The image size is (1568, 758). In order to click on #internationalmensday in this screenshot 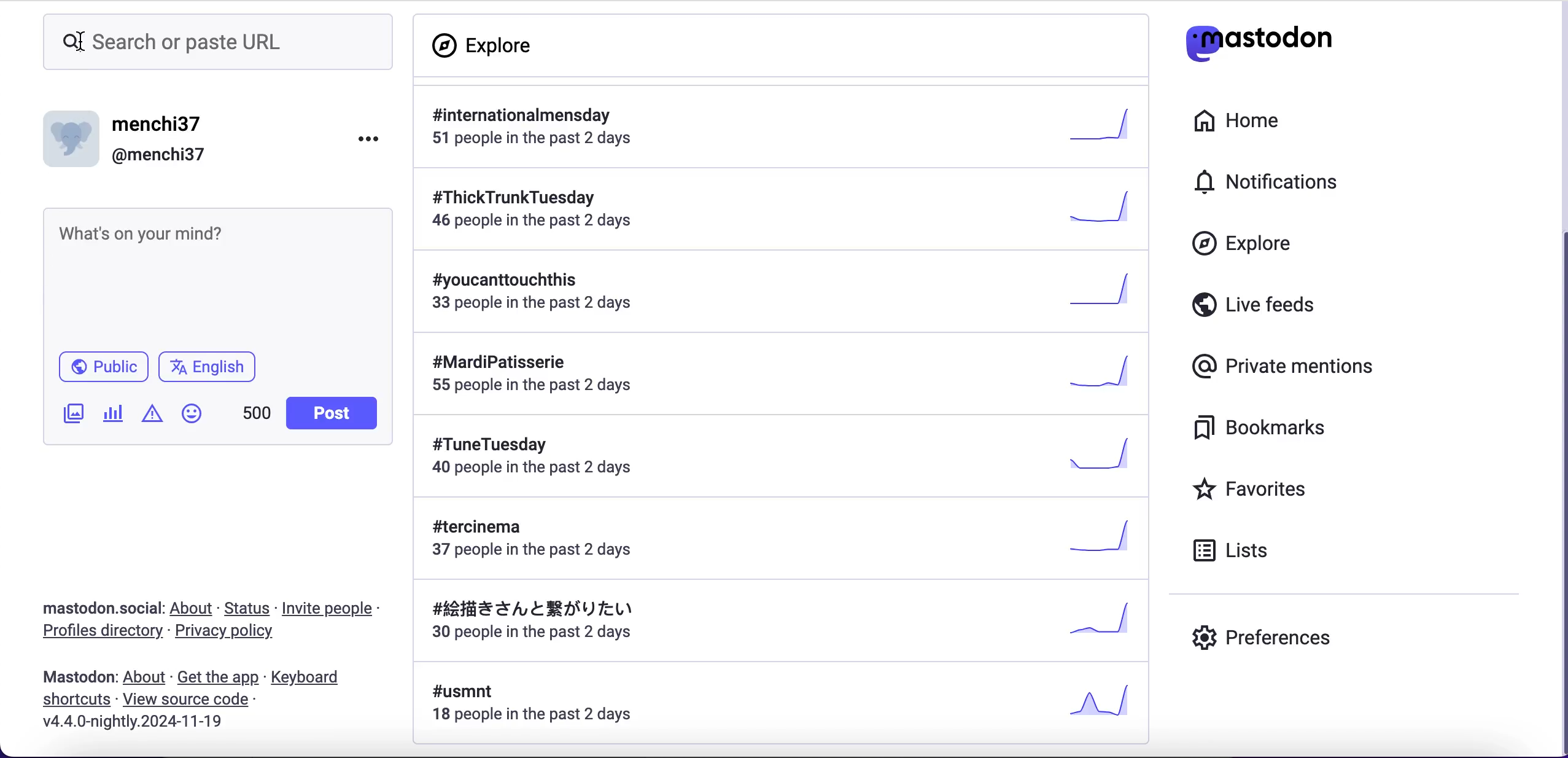, I will do `click(782, 127)`.